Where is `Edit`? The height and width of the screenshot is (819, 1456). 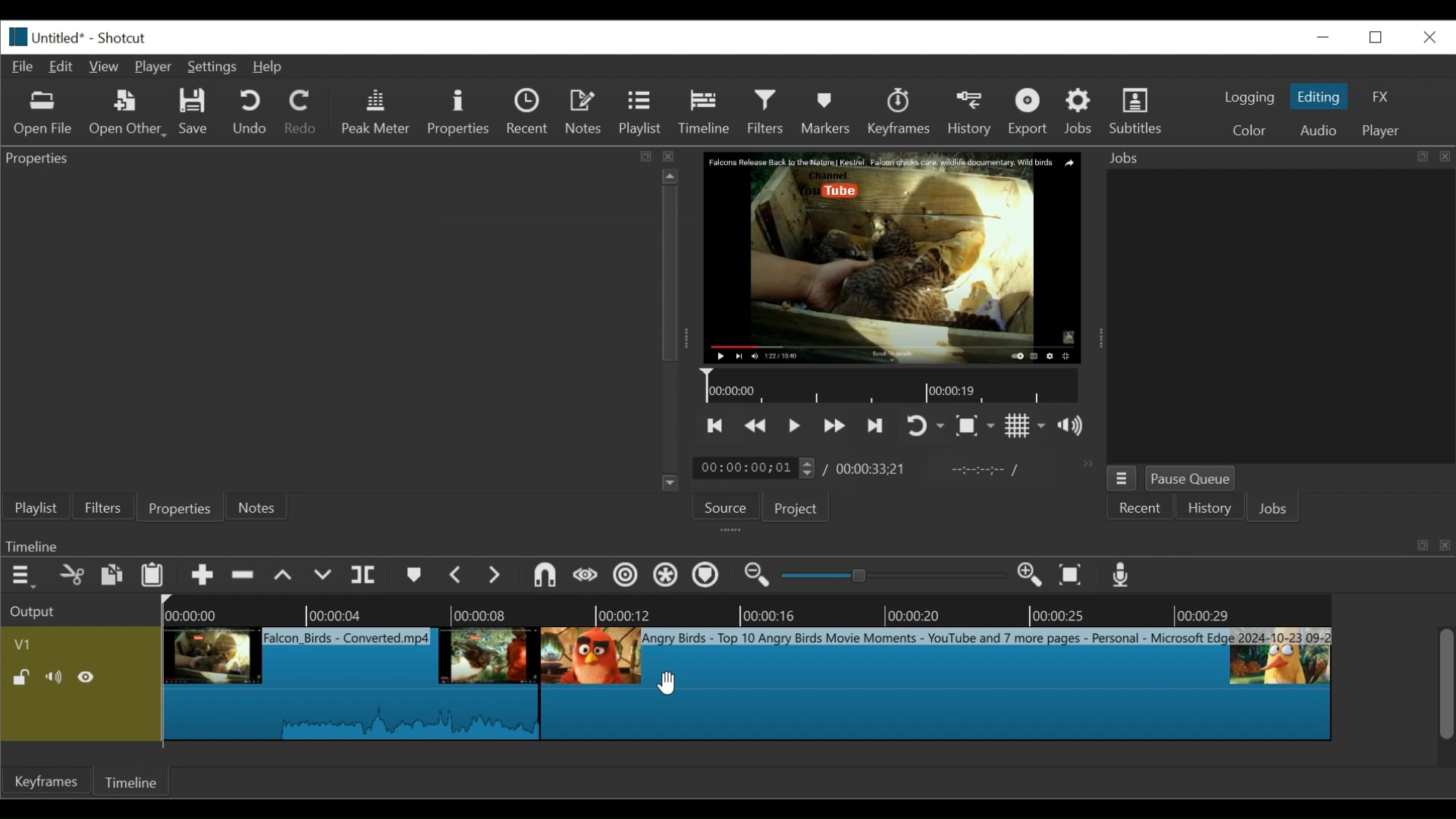 Edit is located at coordinates (62, 67).